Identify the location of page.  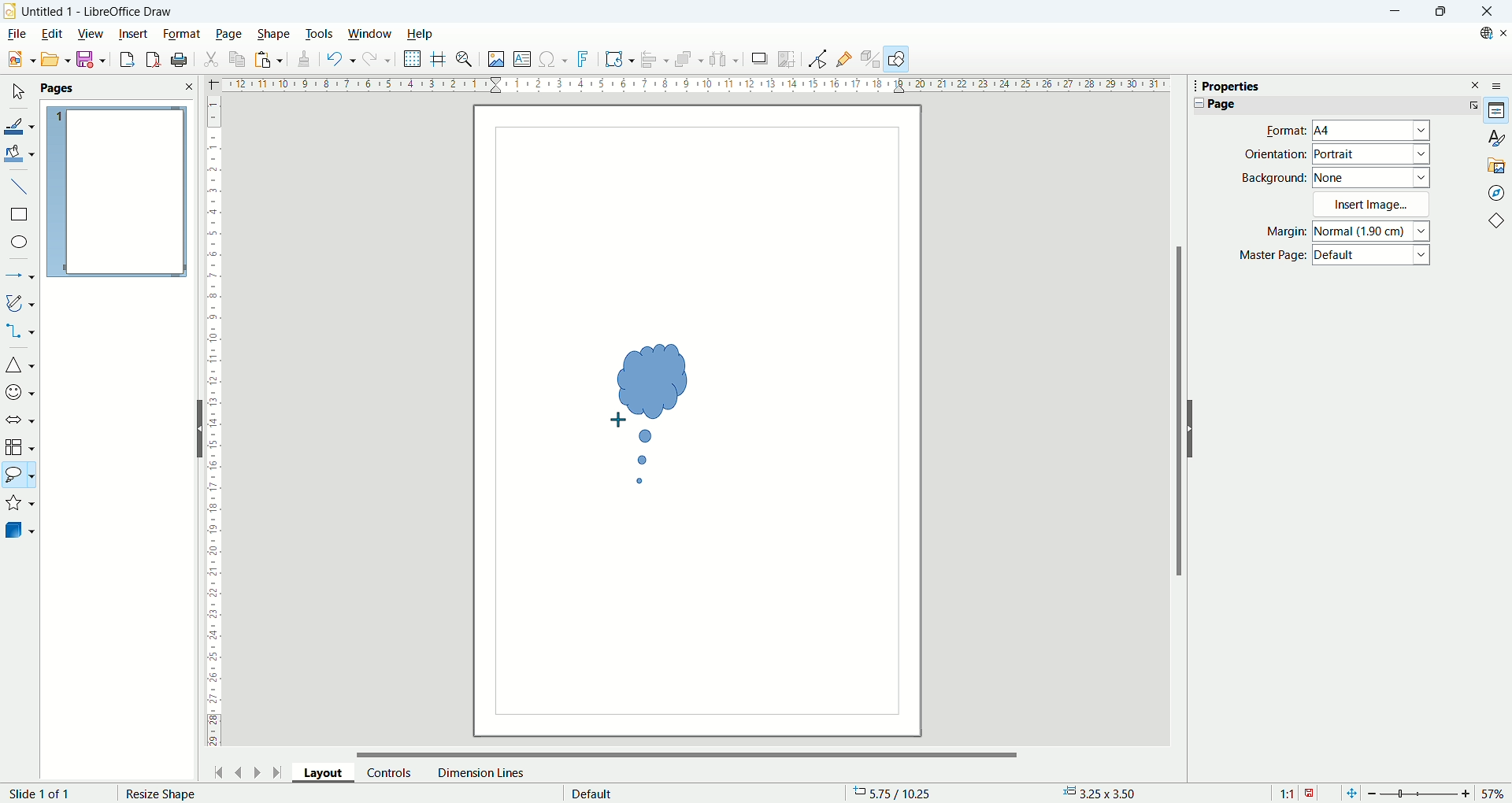
(229, 35).